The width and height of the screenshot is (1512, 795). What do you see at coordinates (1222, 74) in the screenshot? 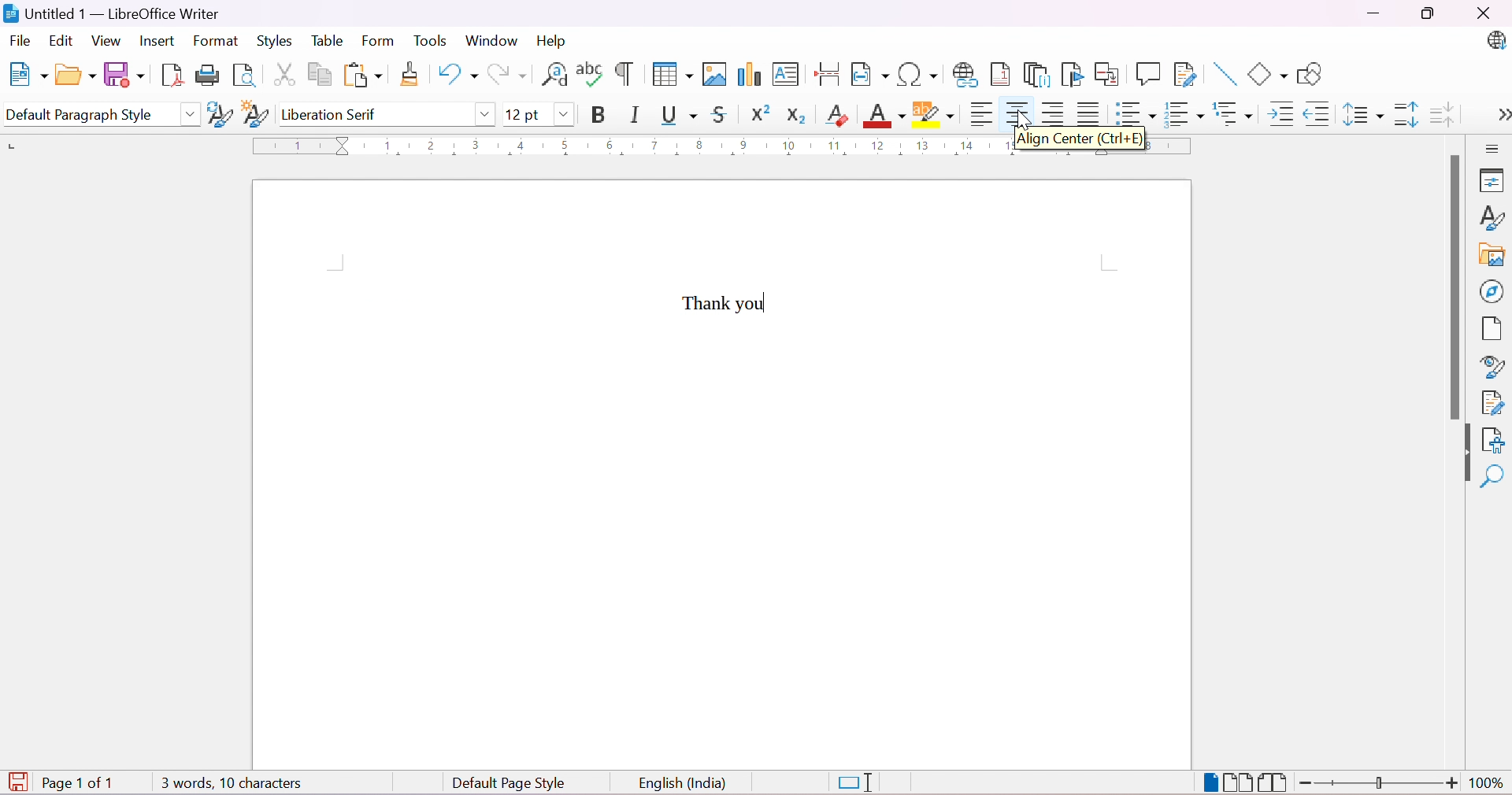
I see `Insert Line` at bounding box center [1222, 74].